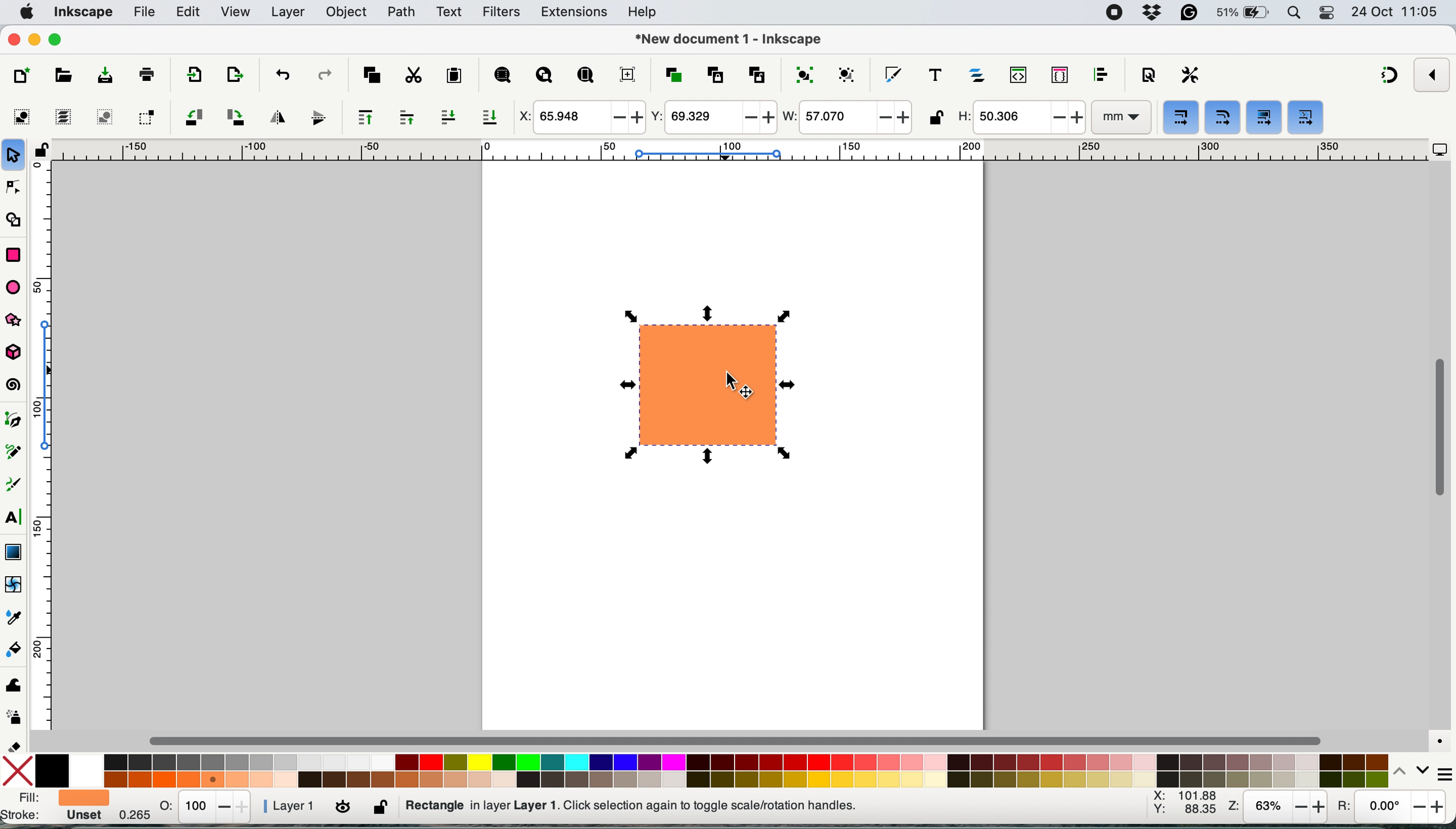 Image resolution: width=1456 pixels, height=829 pixels. Describe the element at coordinates (15, 386) in the screenshot. I see `spiral tool` at that location.